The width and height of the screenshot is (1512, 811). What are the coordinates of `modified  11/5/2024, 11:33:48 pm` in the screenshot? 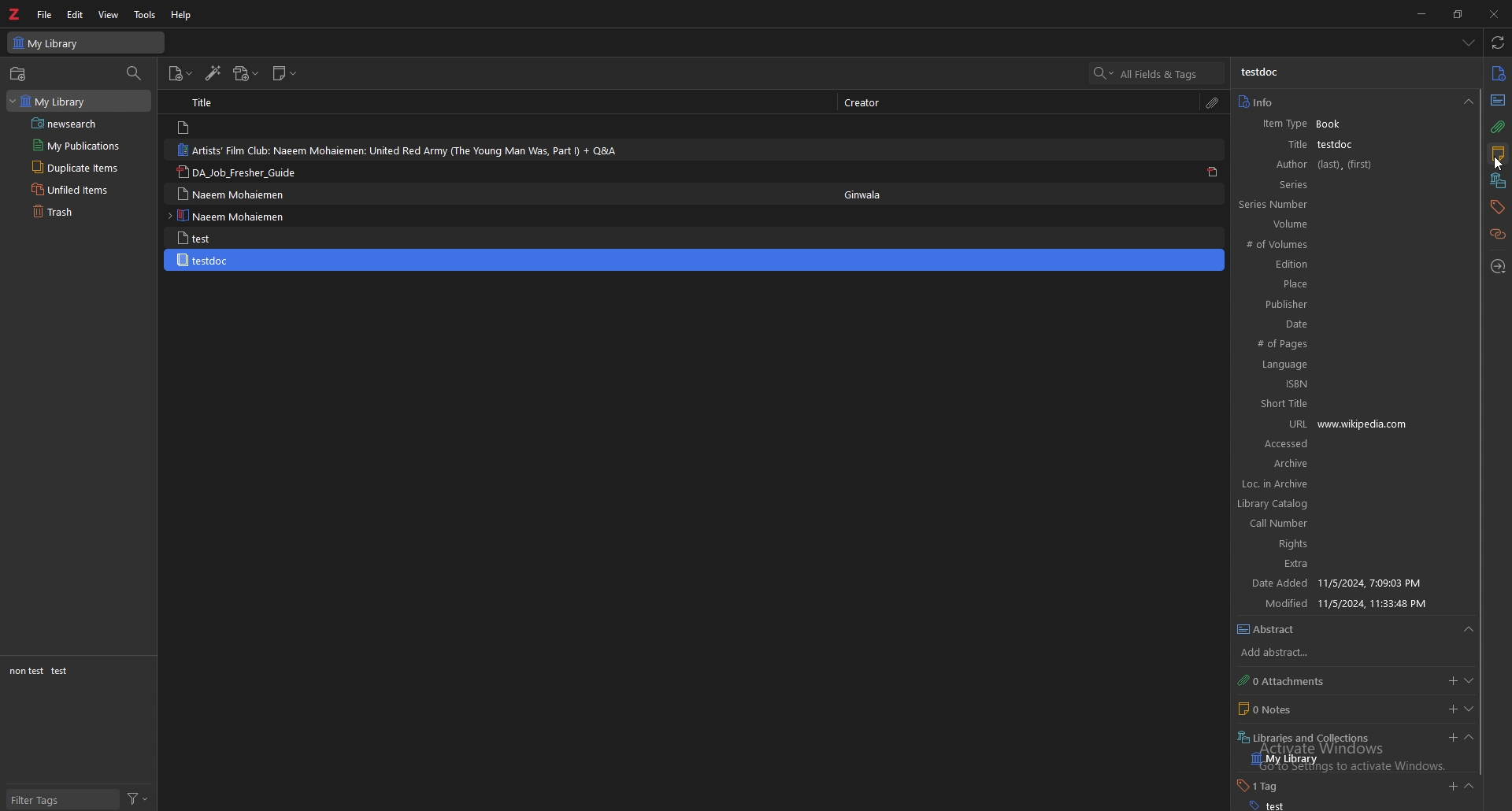 It's located at (1353, 605).